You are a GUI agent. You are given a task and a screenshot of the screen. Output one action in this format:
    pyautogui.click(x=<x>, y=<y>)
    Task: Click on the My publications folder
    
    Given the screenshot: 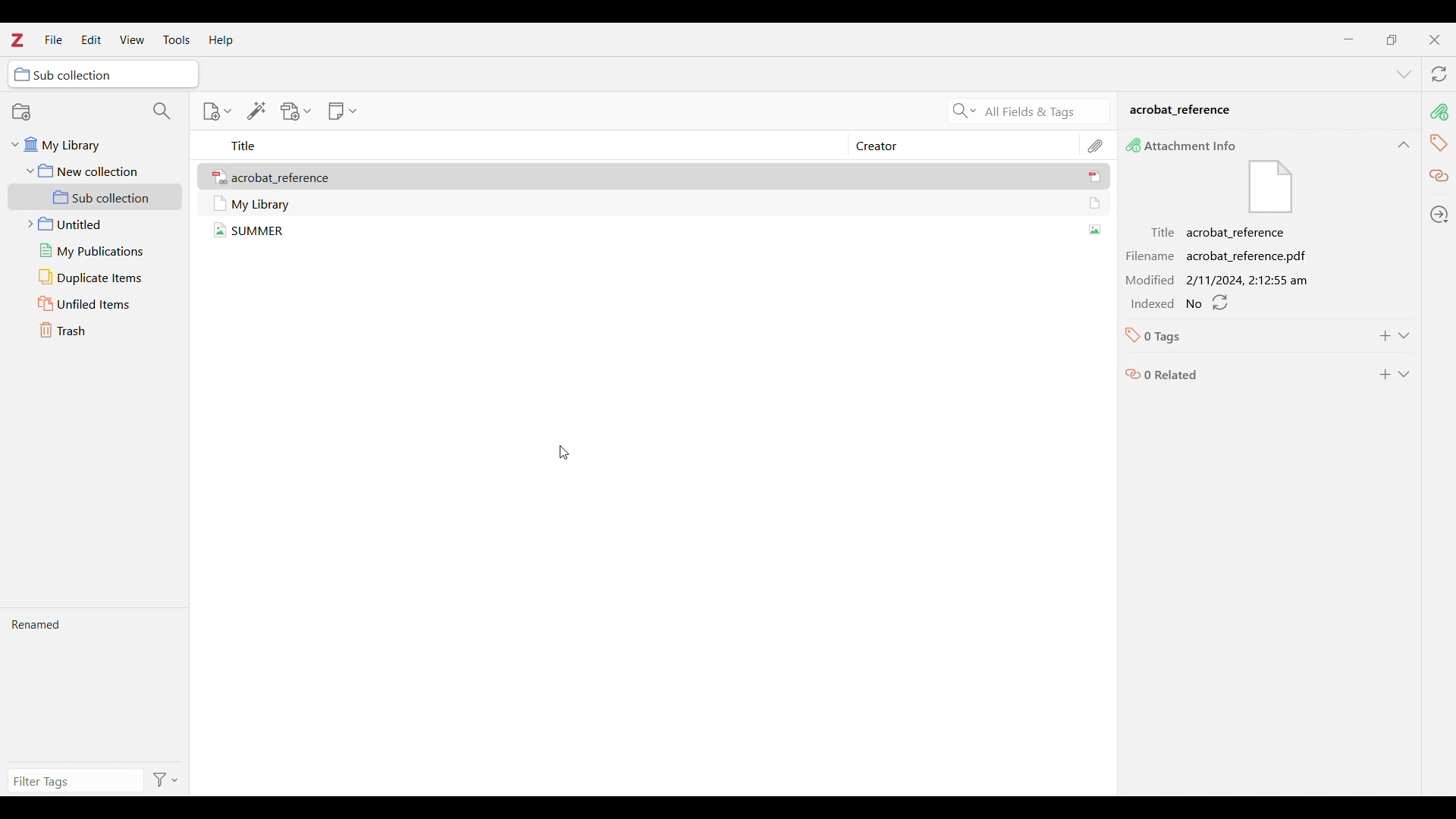 What is the action you would take?
    pyautogui.click(x=99, y=251)
    